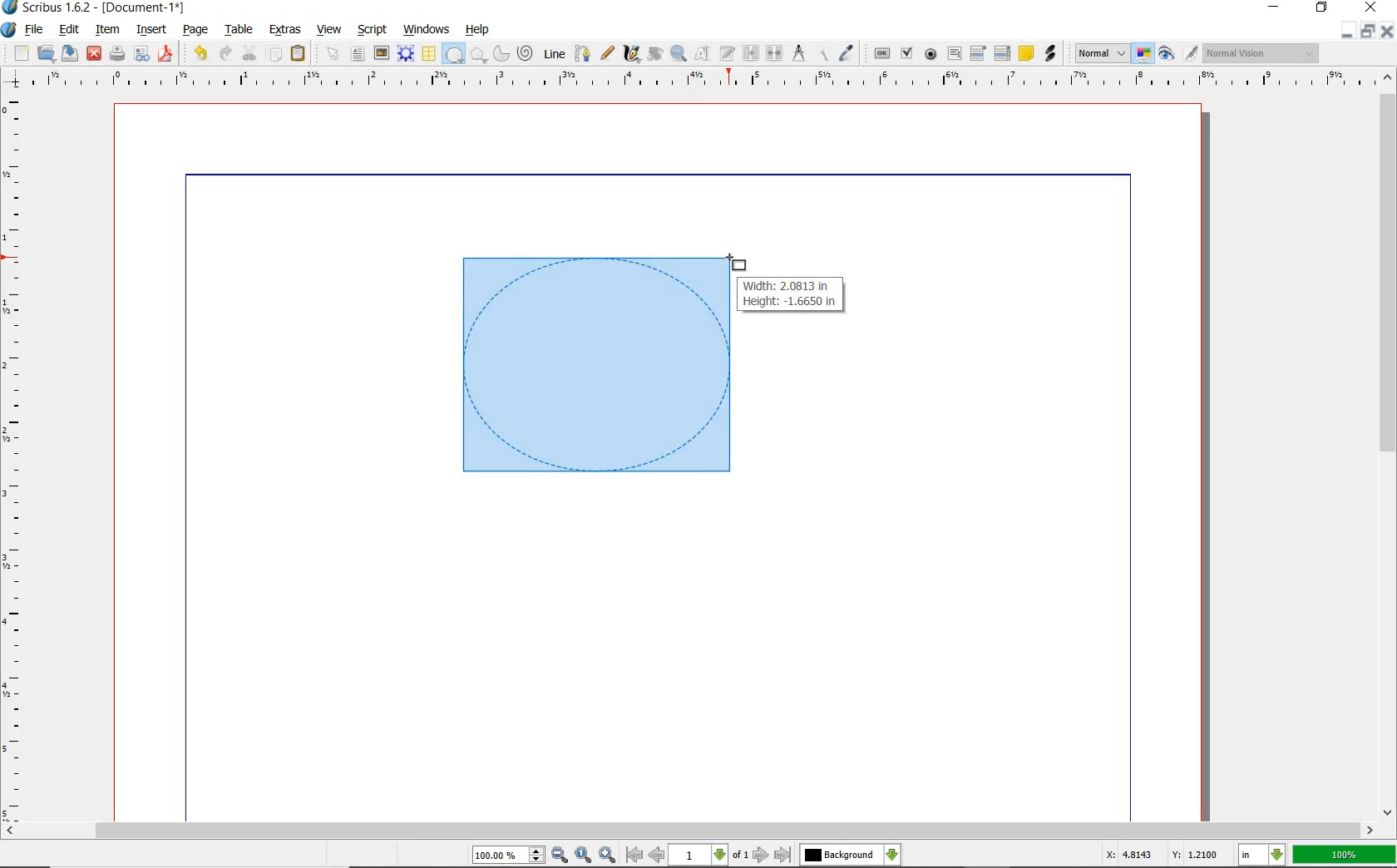 The image size is (1397, 868). I want to click on PASTE, so click(298, 55).